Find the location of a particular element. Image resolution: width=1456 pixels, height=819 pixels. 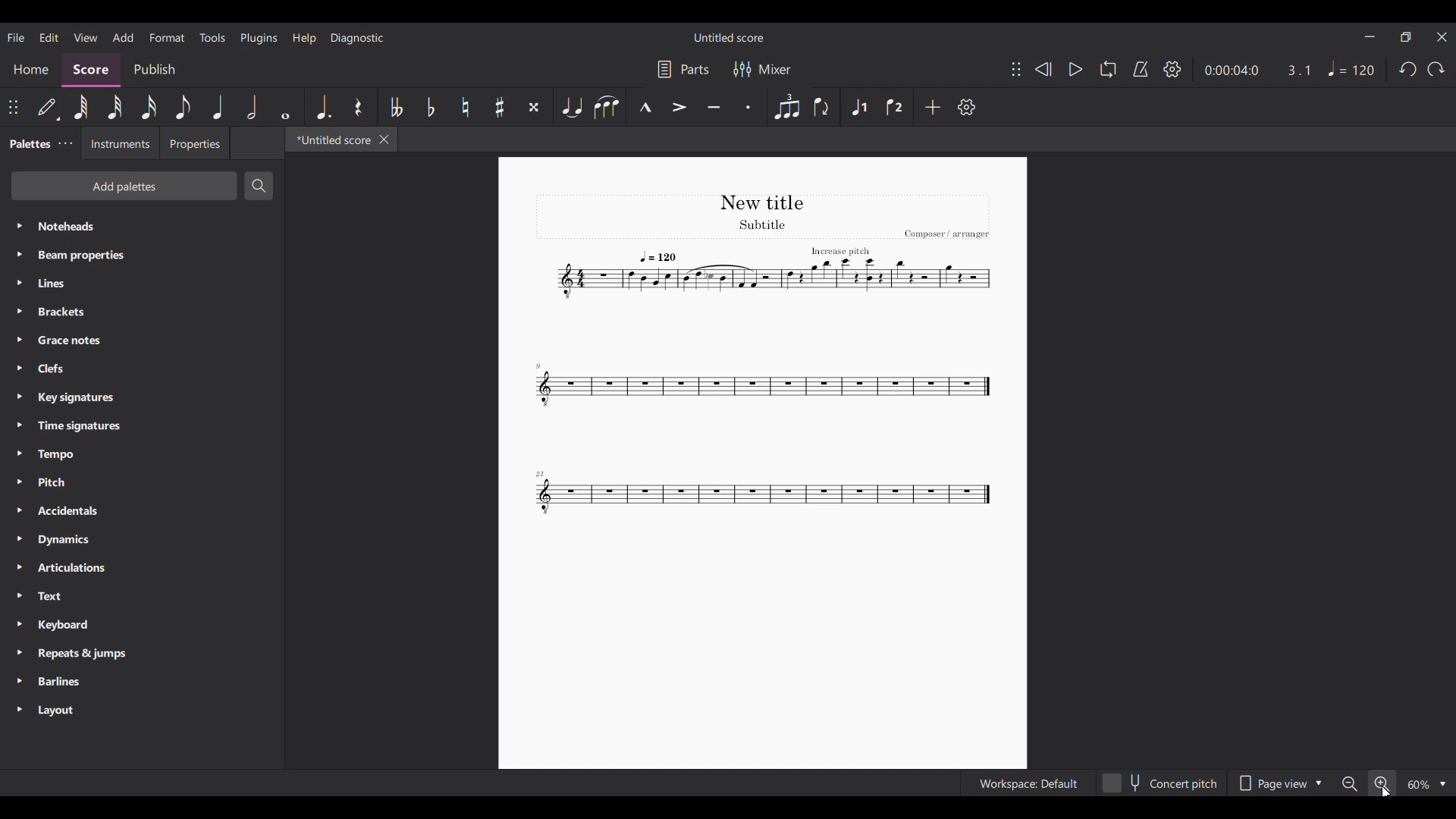

32nd note is located at coordinates (115, 108).